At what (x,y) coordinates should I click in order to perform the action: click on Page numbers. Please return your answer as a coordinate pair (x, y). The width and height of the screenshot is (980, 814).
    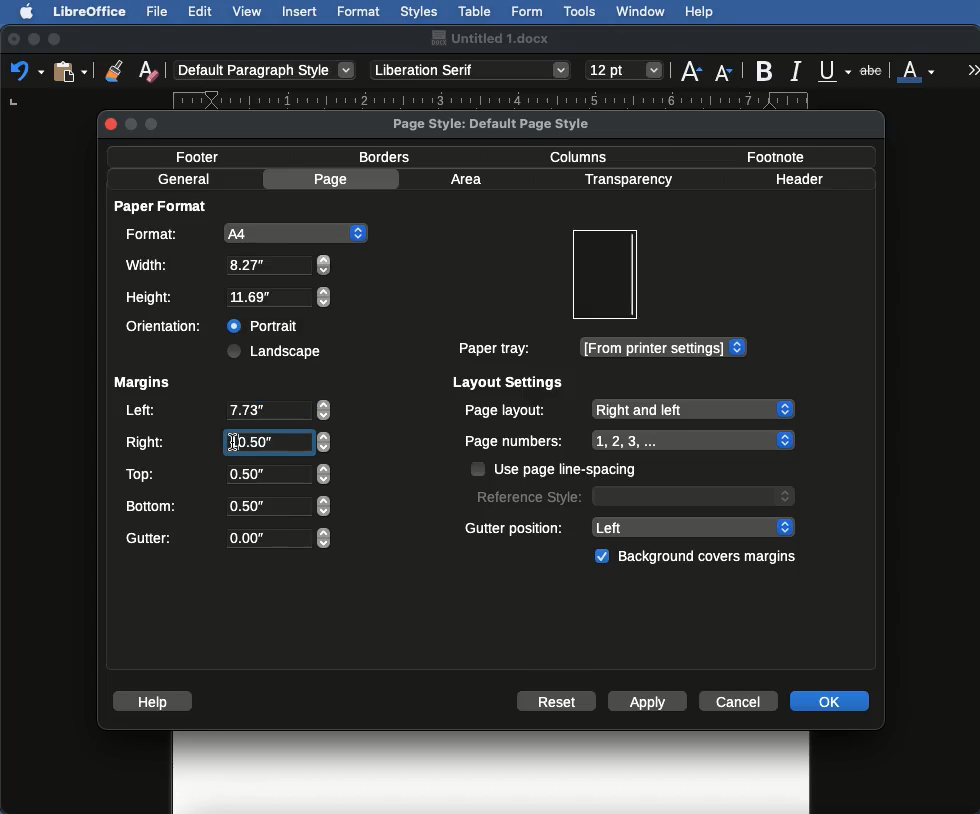
    Looking at the image, I should click on (630, 441).